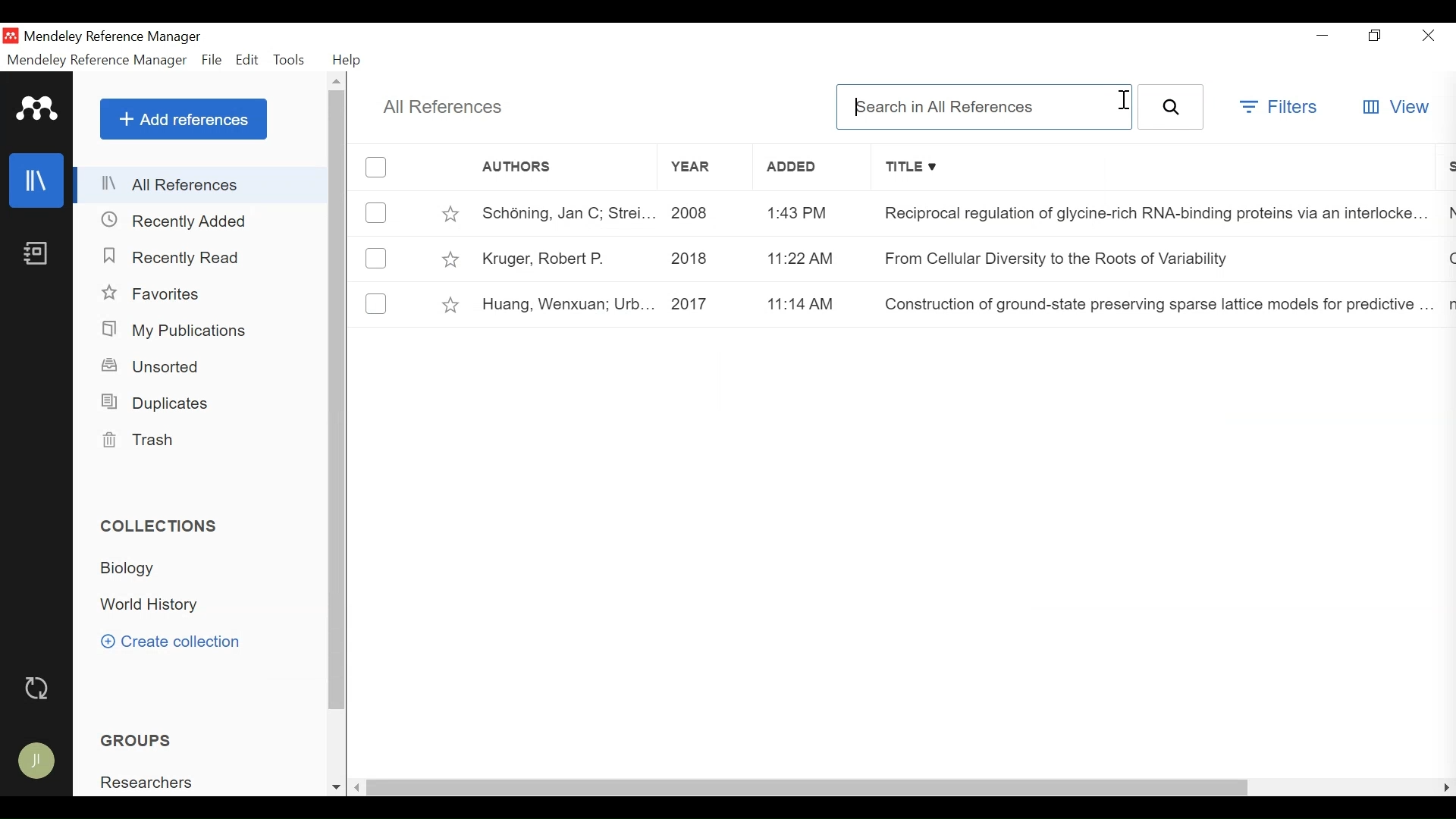 This screenshot has width=1456, height=819. What do you see at coordinates (377, 212) in the screenshot?
I see `(un)select` at bounding box center [377, 212].